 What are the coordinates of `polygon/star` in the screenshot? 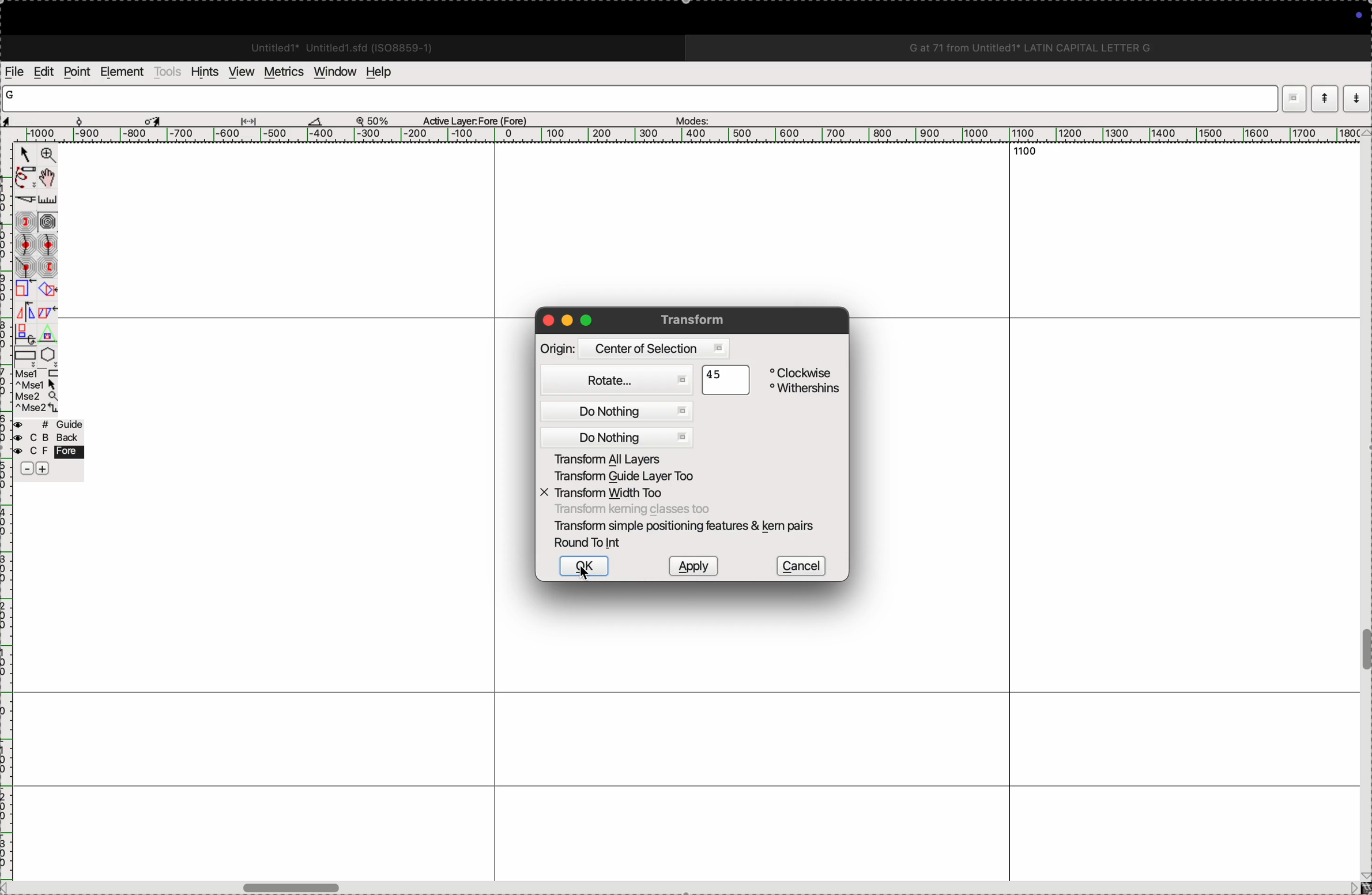 It's located at (49, 354).